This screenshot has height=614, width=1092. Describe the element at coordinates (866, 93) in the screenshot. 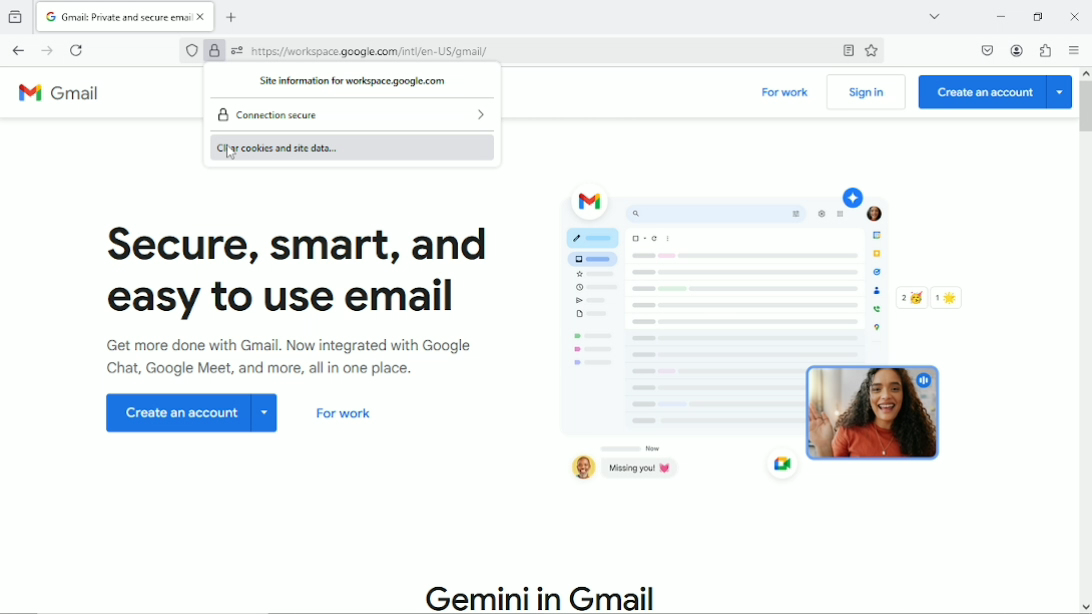

I see `Sign in` at that location.